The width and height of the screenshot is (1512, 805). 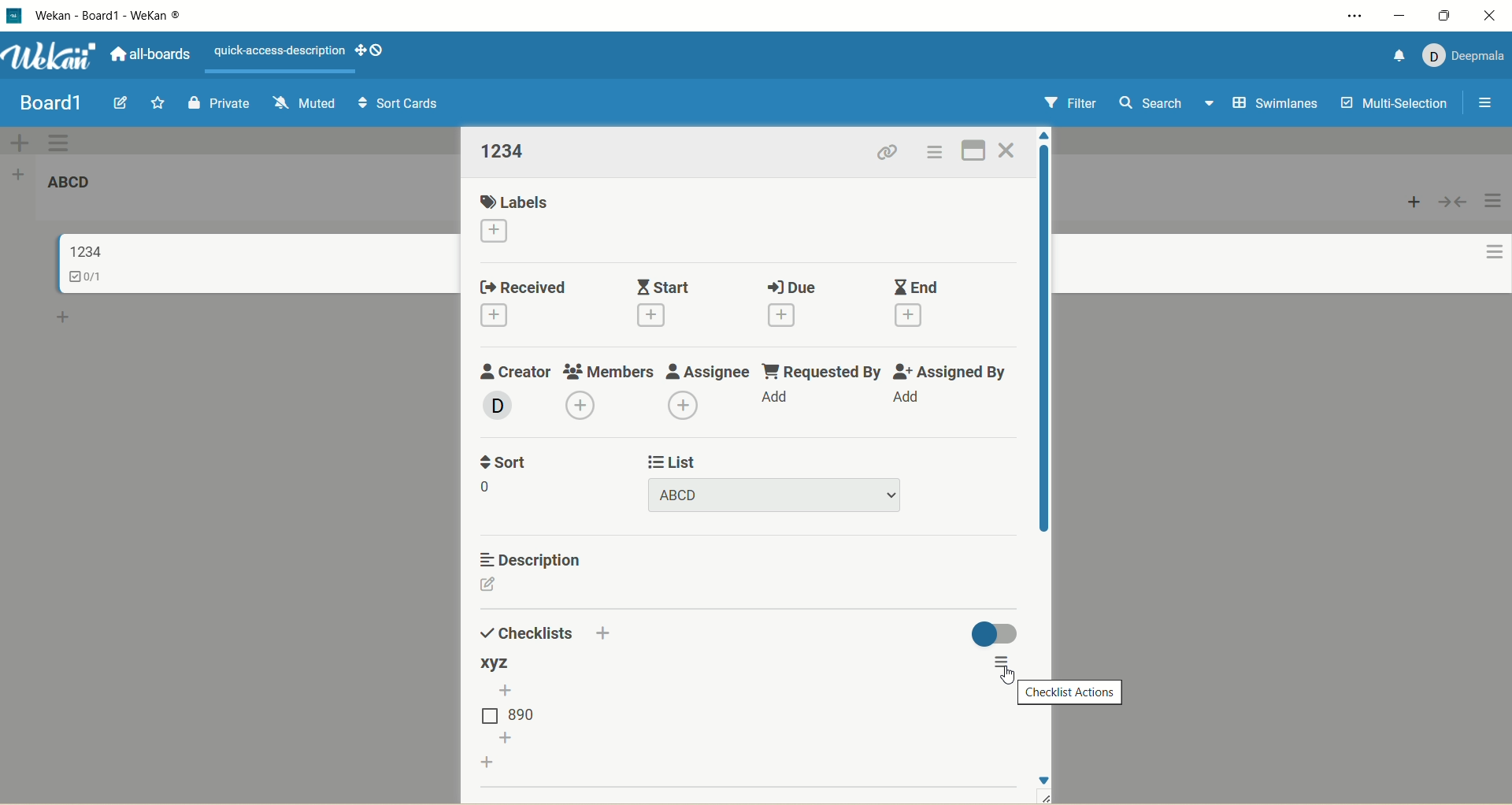 I want to click on collapse, so click(x=1454, y=202).